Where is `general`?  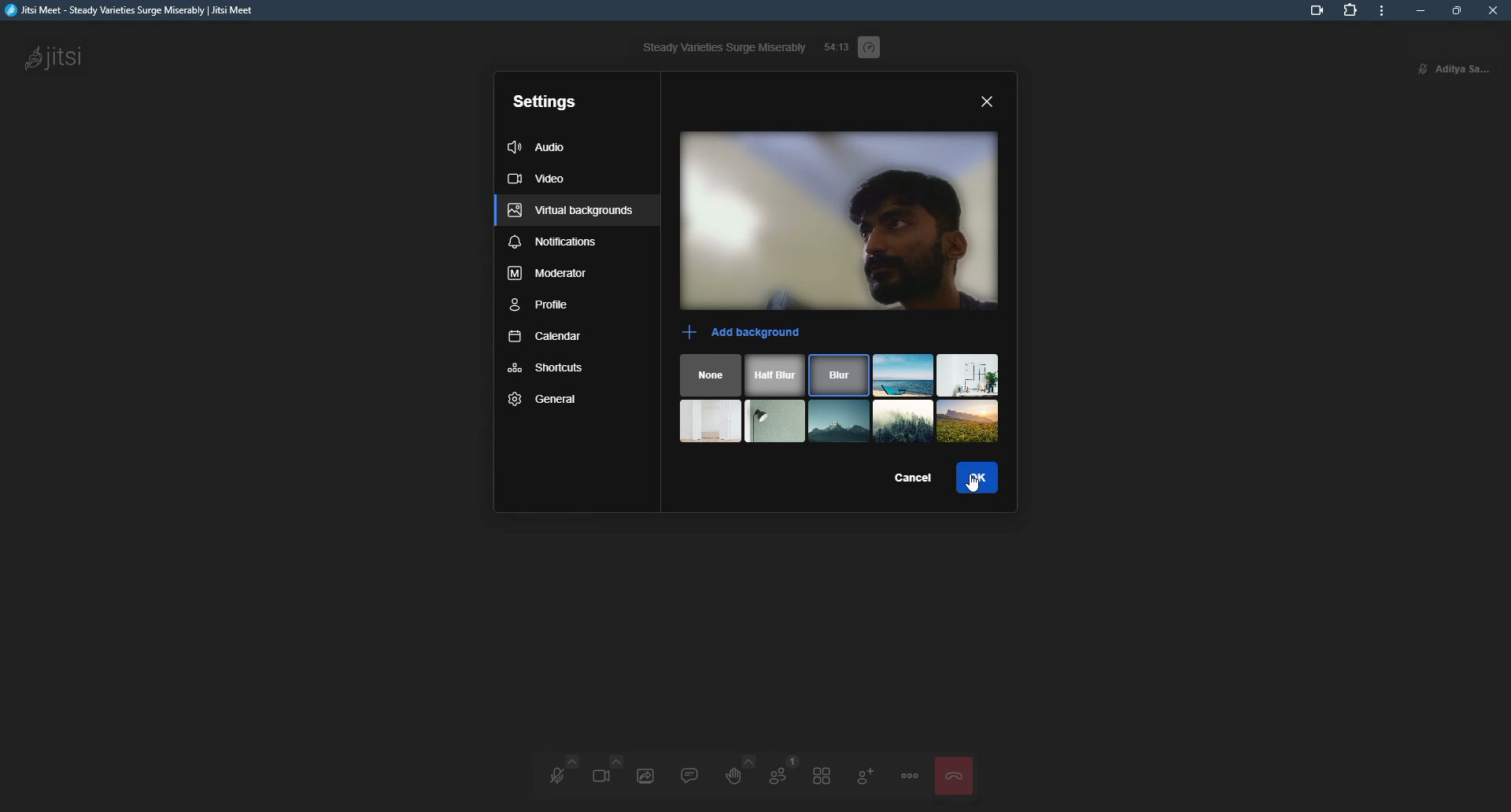 general is located at coordinates (545, 400).